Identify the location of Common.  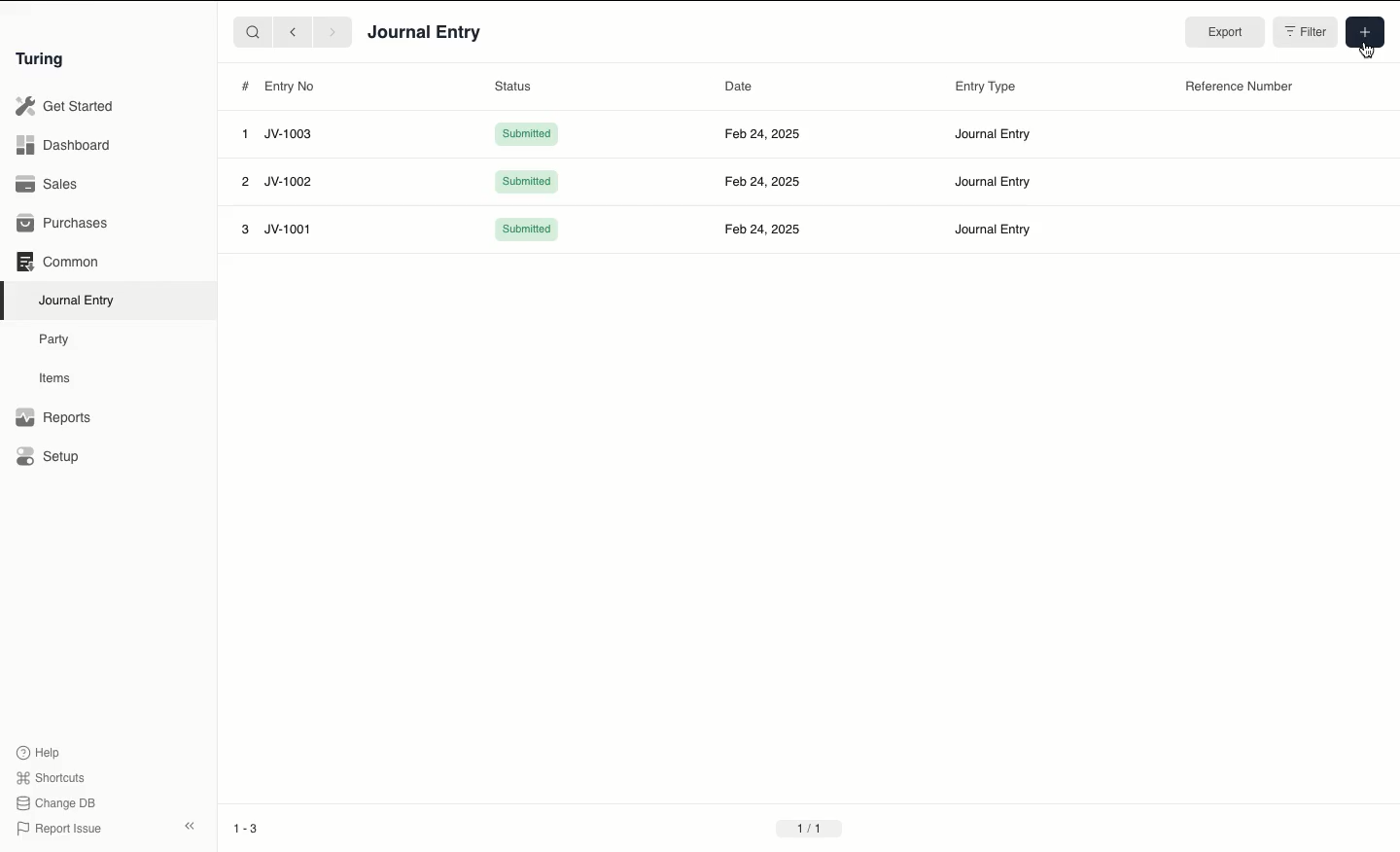
(59, 262).